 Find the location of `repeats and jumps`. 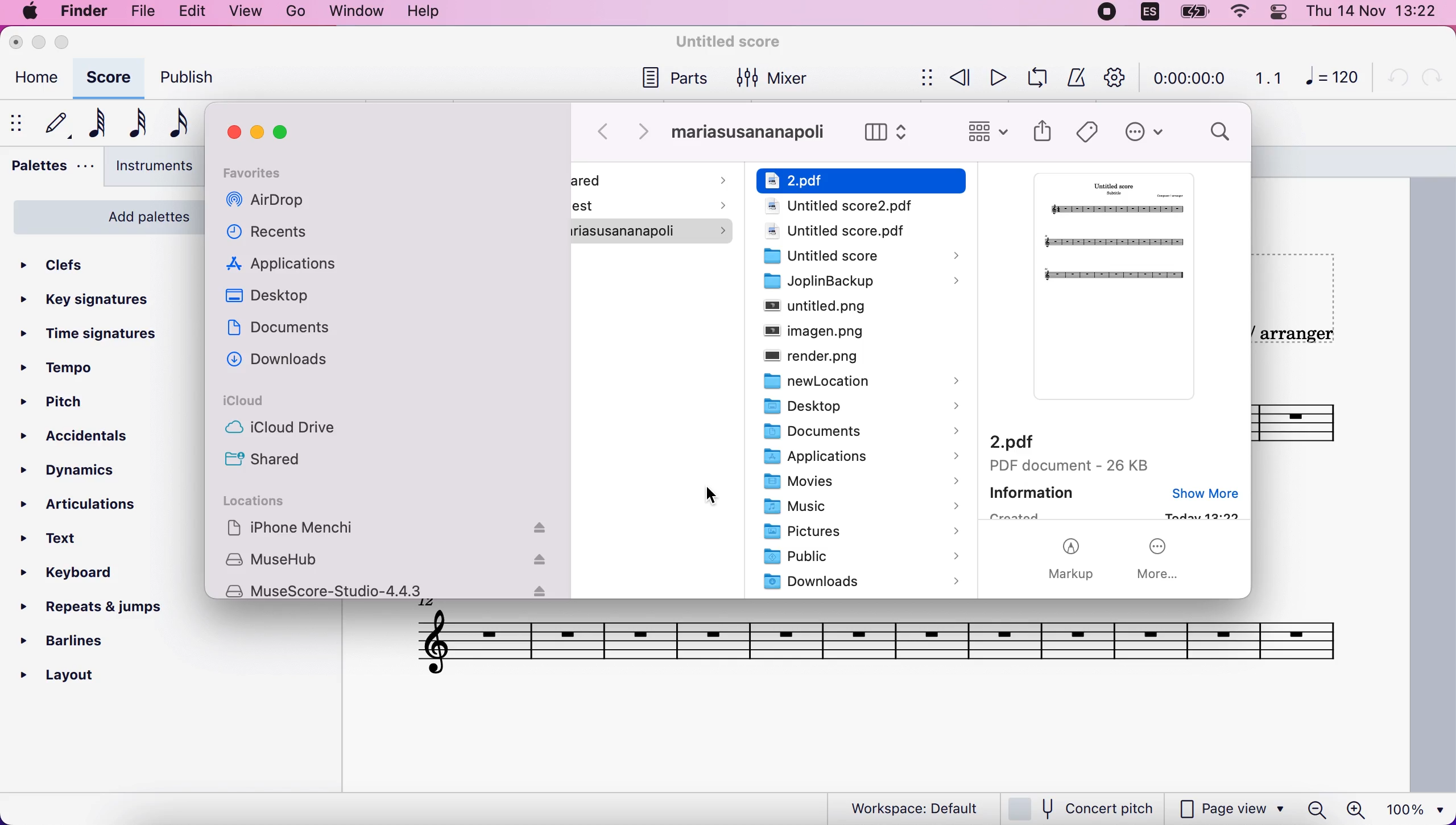

repeats and jumps is located at coordinates (106, 610).